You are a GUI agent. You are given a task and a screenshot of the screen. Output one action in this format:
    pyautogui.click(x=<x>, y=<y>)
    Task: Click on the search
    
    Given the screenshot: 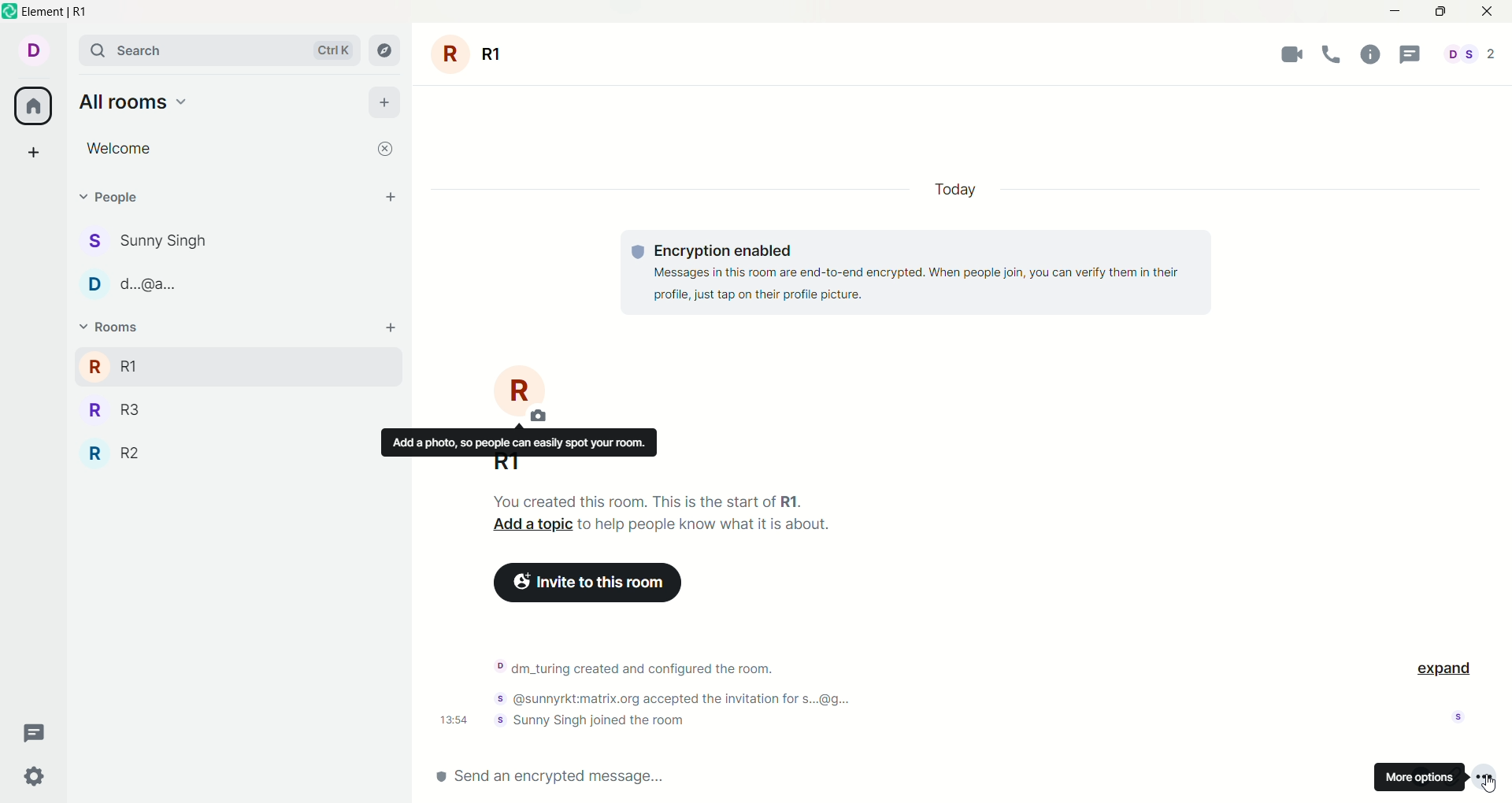 What is the action you would take?
    pyautogui.click(x=221, y=50)
    